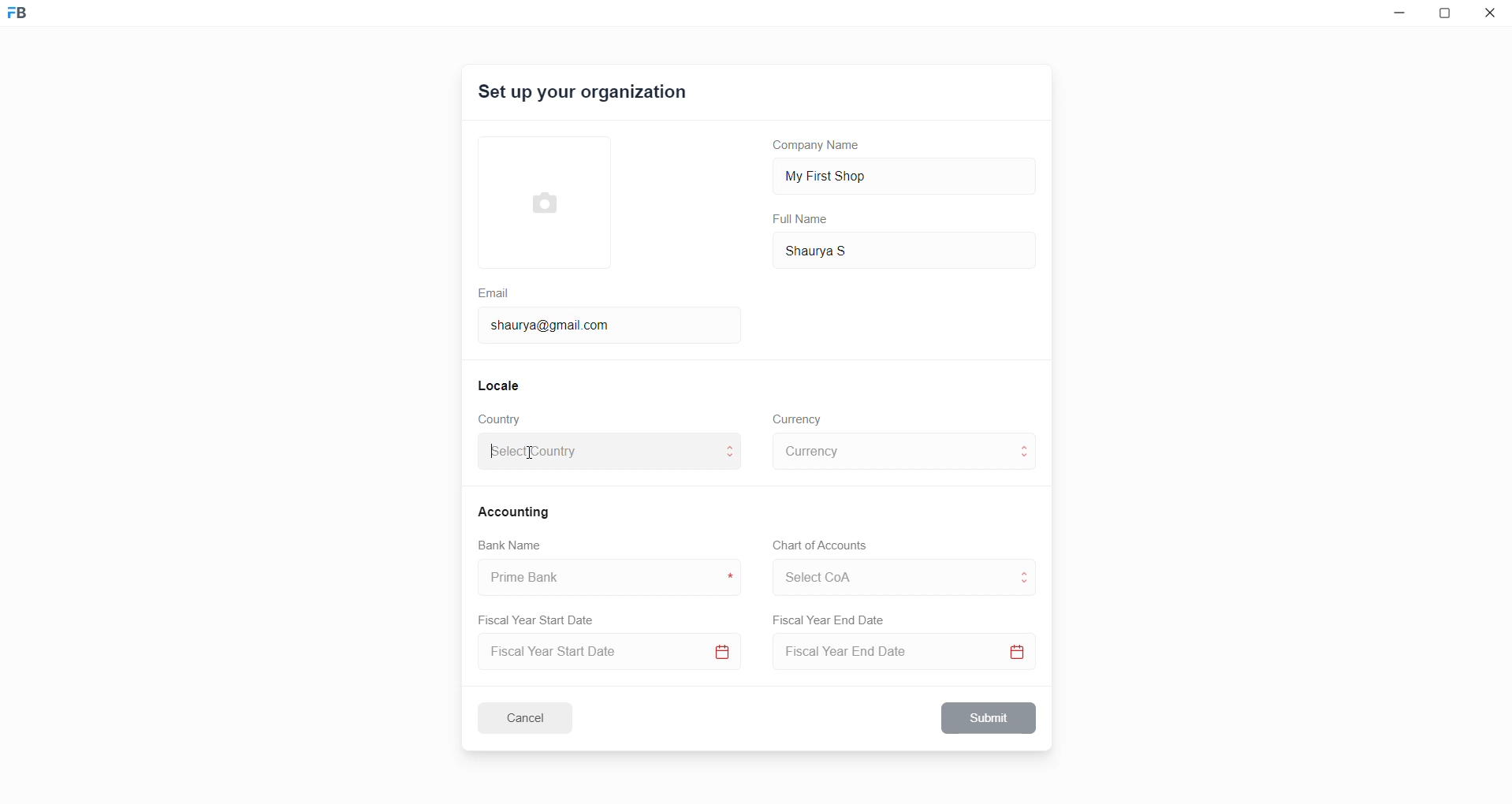  I want to click on Fiscal Year Start Date, so click(542, 617).